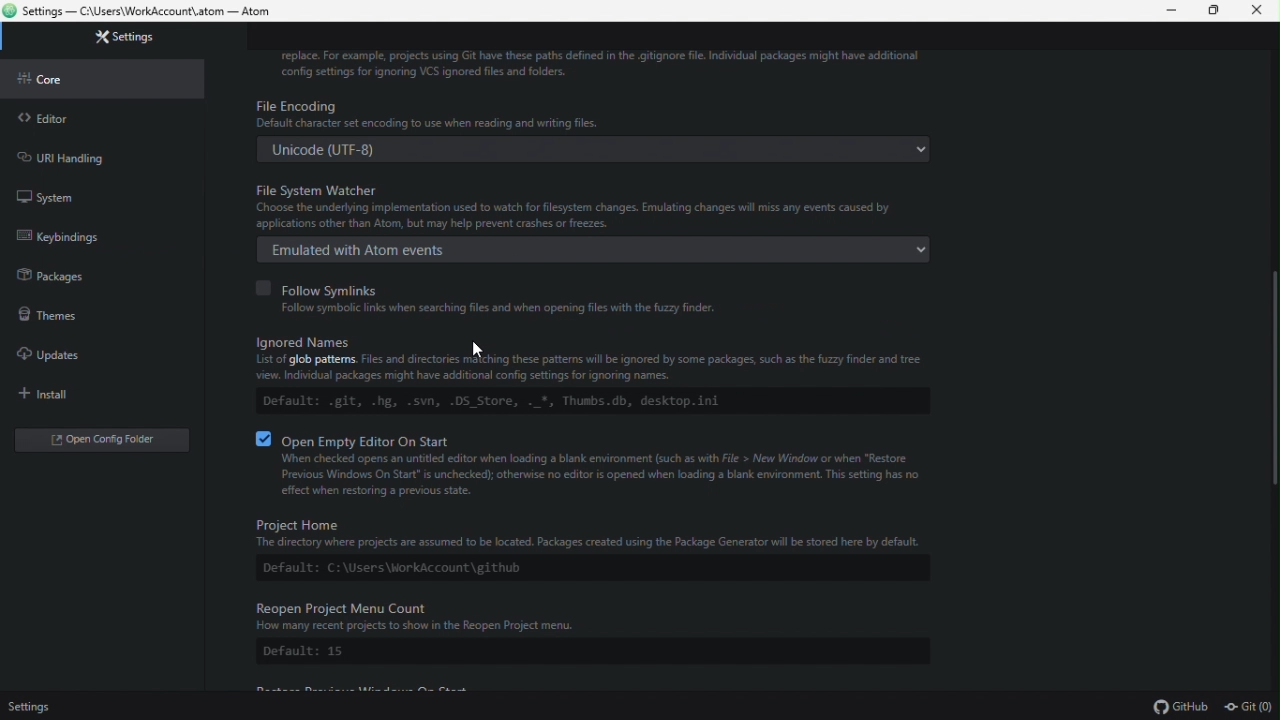 The image size is (1280, 720). I want to click on replace. For example, projects using GIT have these paths defined in the .gitignore file. Individual packages might have additional cofig settings for ignoring VCS ignored files and folders, so click(607, 62).